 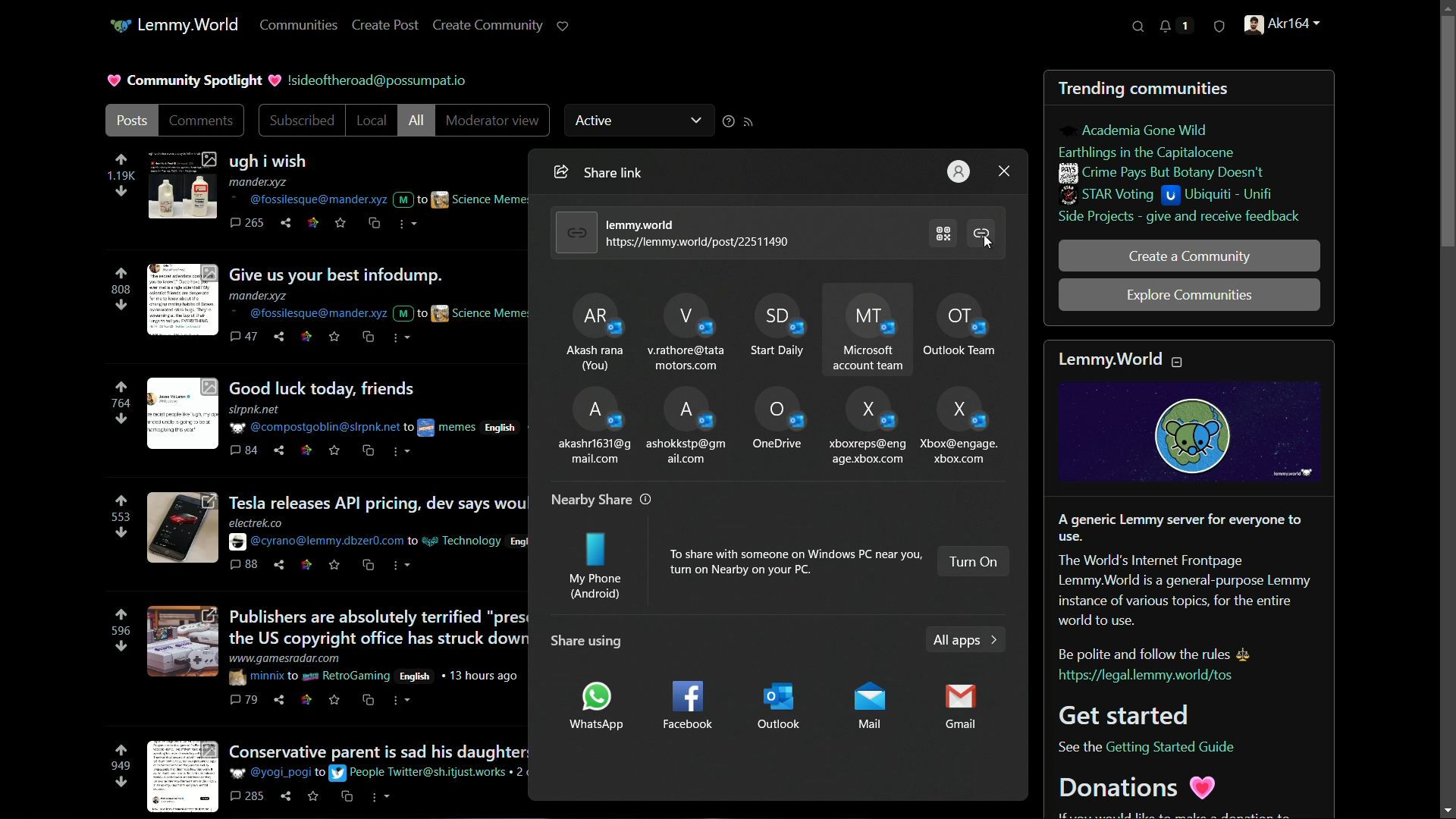 What do you see at coordinates (1172, 747) in the screenshot?
I see `Getting Started Guide` at bounding box center [1172, 747].